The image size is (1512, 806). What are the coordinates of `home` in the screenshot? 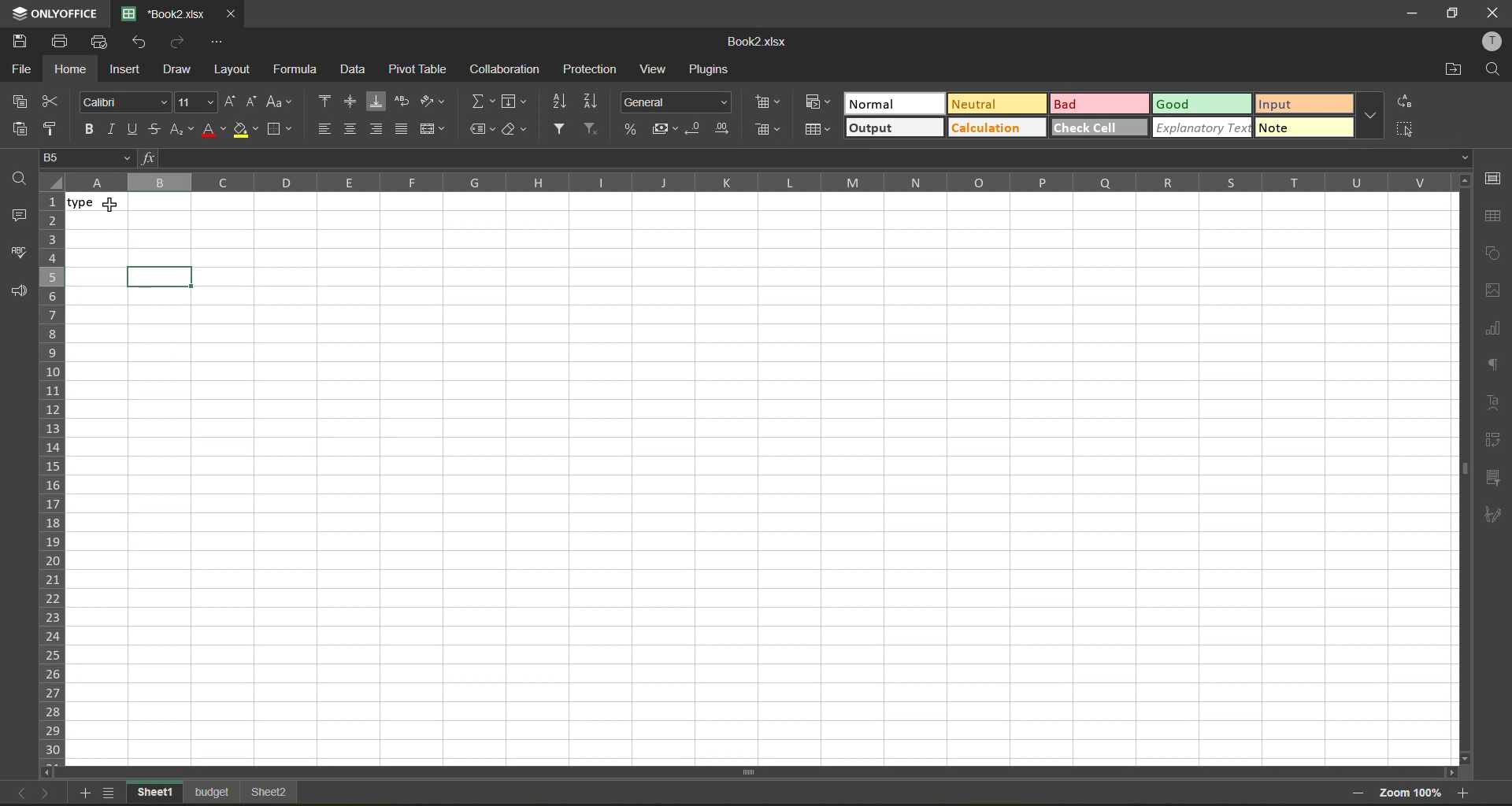 It's located at (74, 68).